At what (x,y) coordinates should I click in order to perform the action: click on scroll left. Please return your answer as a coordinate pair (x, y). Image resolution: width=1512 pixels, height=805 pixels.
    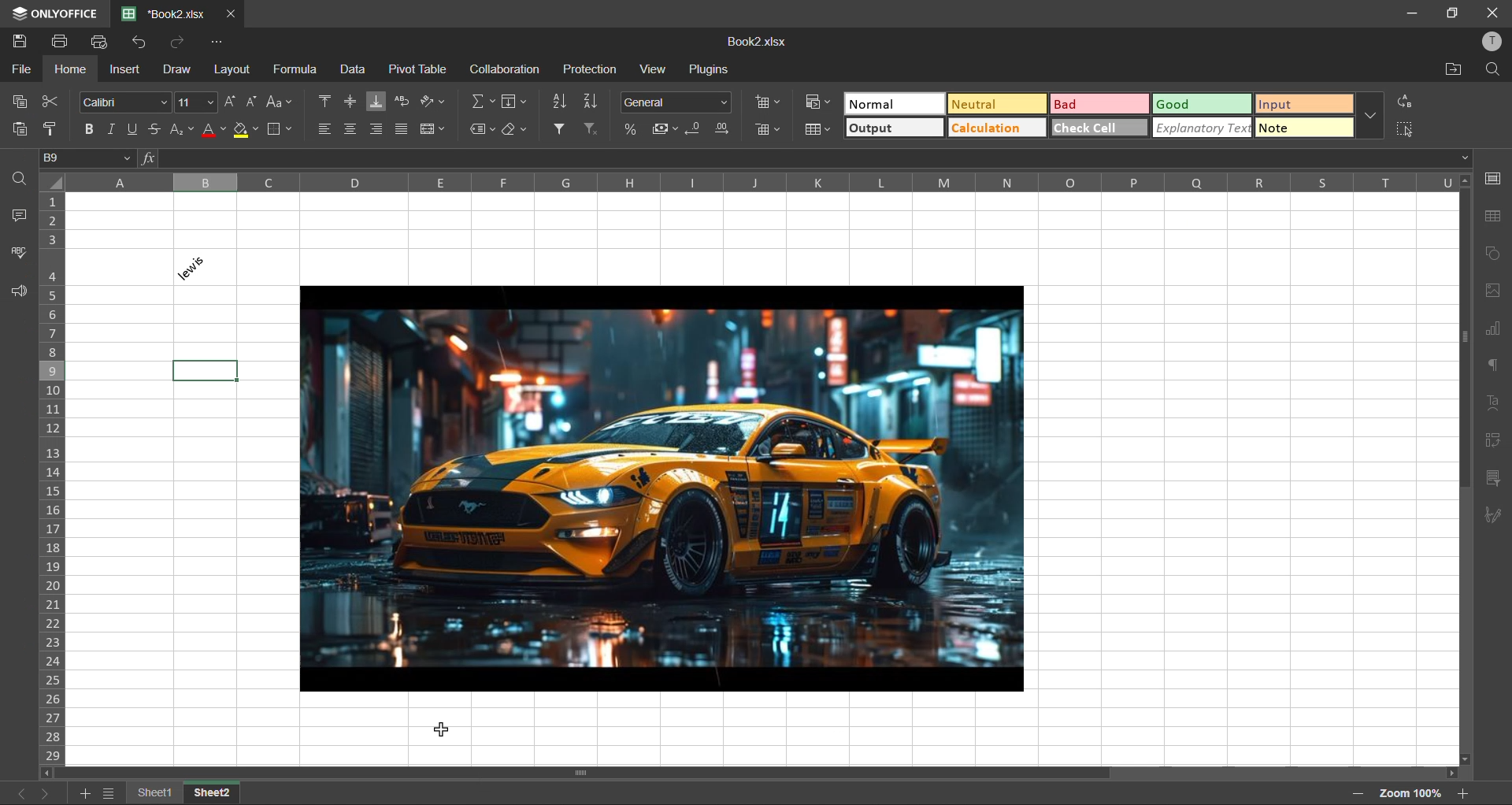
    Looking at the image, I should click on (50, 772).